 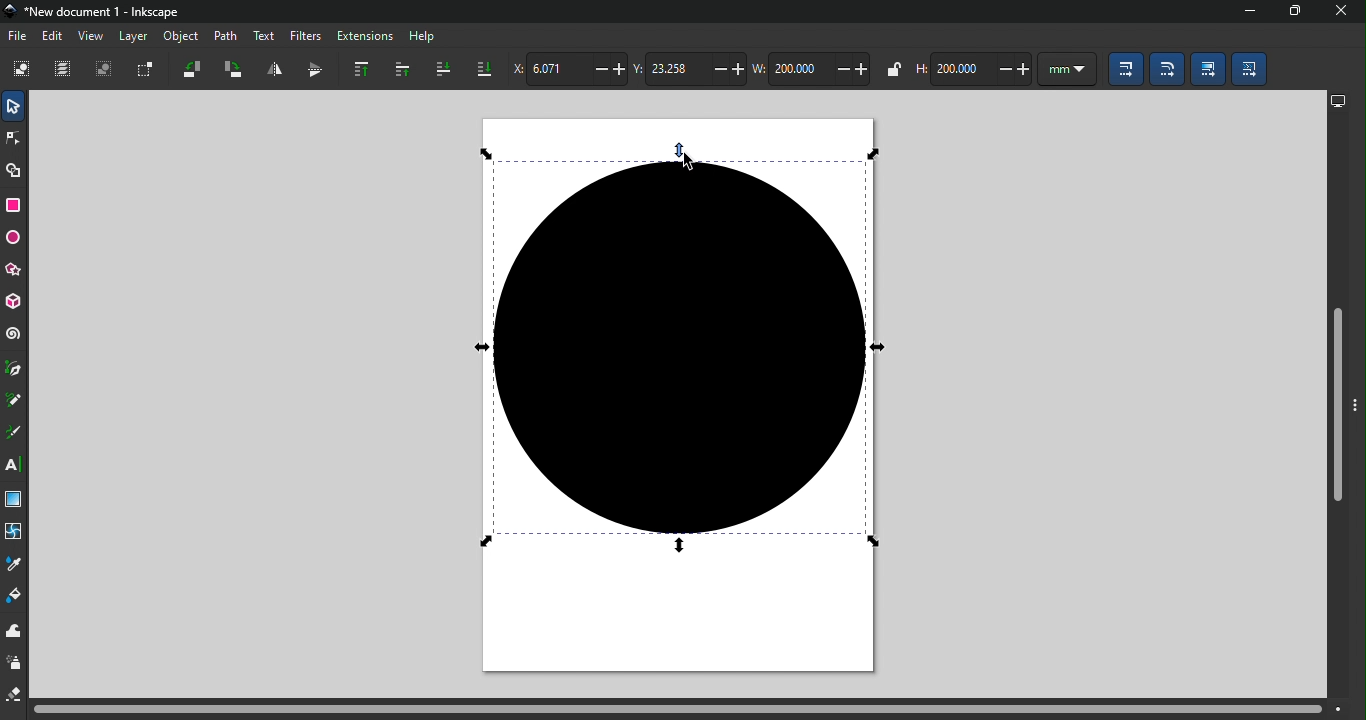 What do you see at coordinates (362, 70) in the screenshot?
I see `Raise selection to top` at bounding box center [362, 70].